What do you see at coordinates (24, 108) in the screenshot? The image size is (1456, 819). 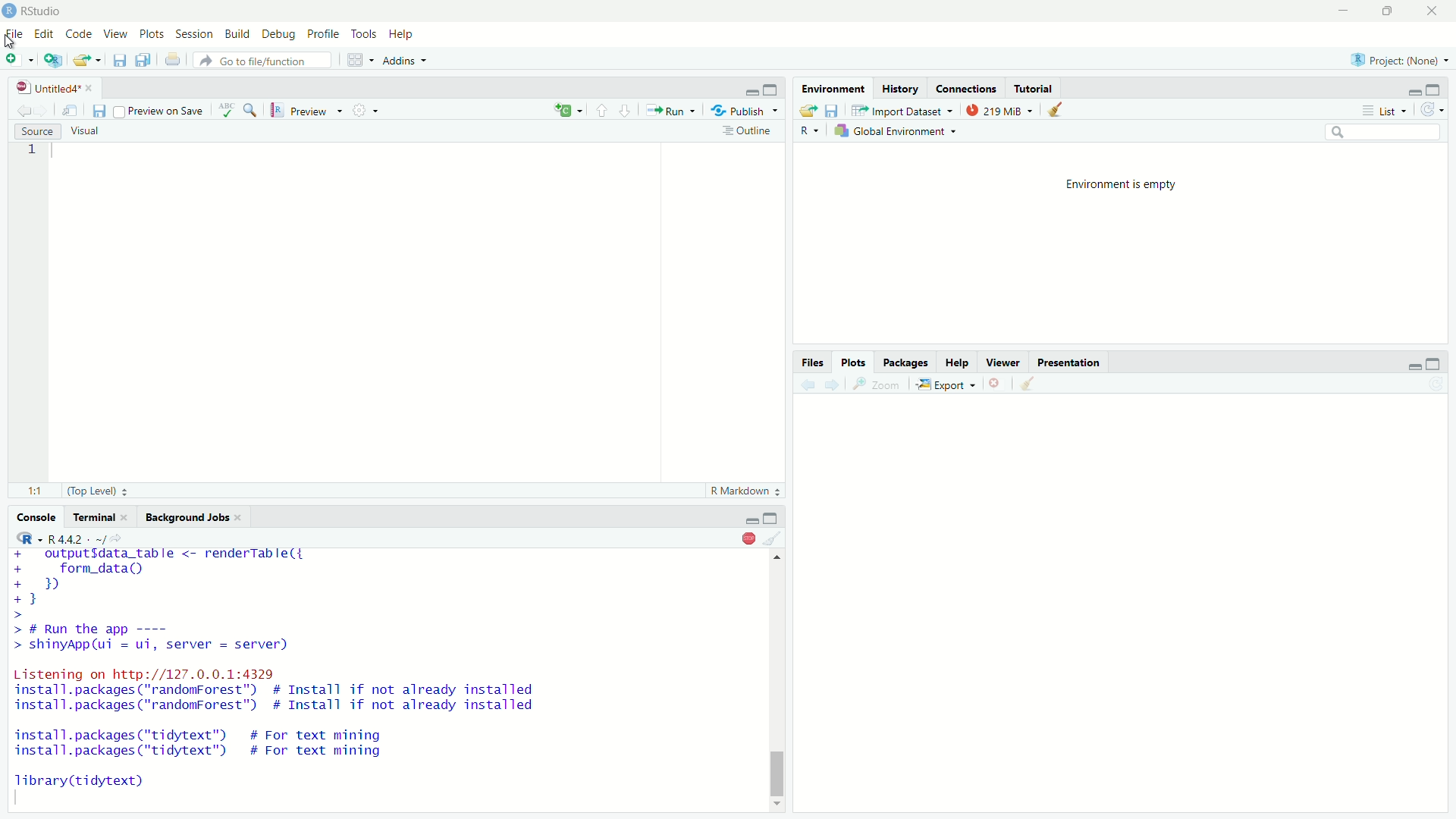 I see `go back to previous source location` at bounding box center [24, 108].